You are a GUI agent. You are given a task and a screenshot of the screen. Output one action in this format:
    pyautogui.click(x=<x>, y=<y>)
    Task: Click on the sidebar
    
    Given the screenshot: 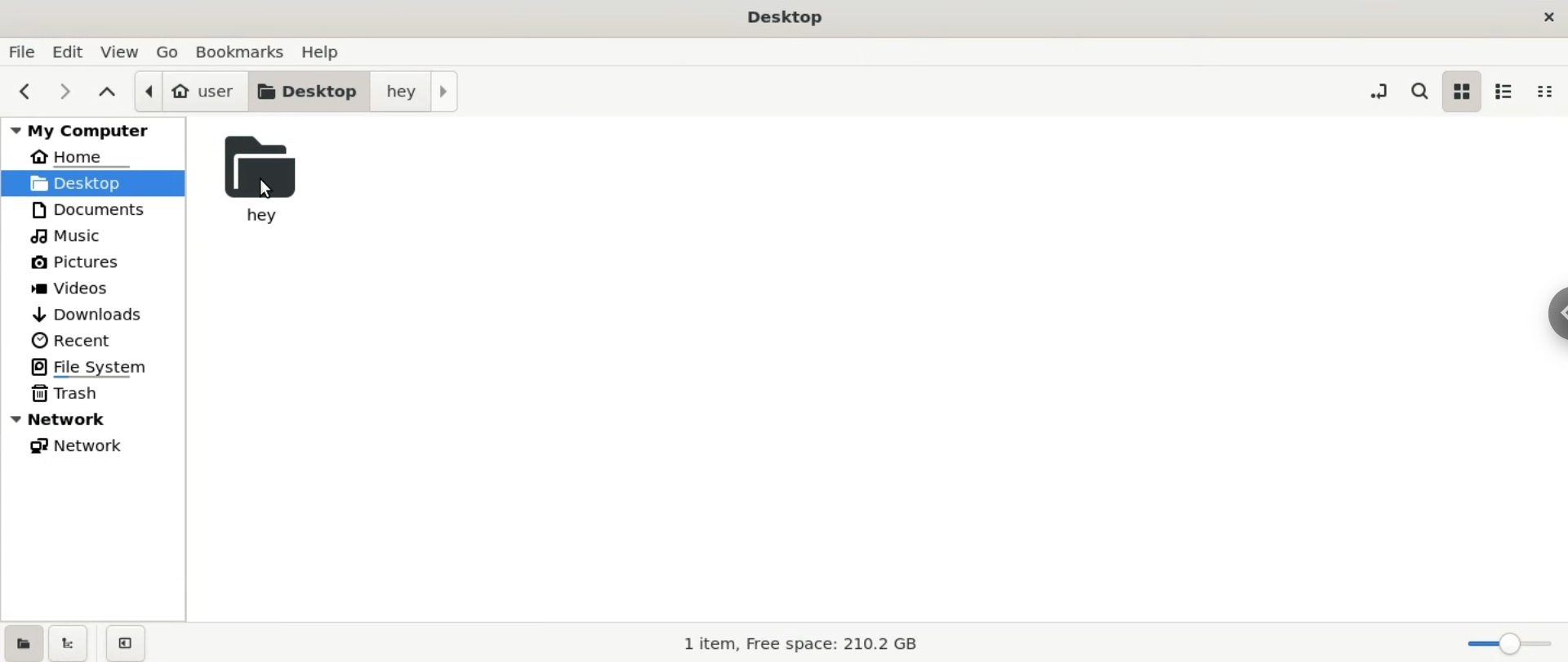 What is the action you would take?
    pyautogui.click(x=1549, y=315)
    